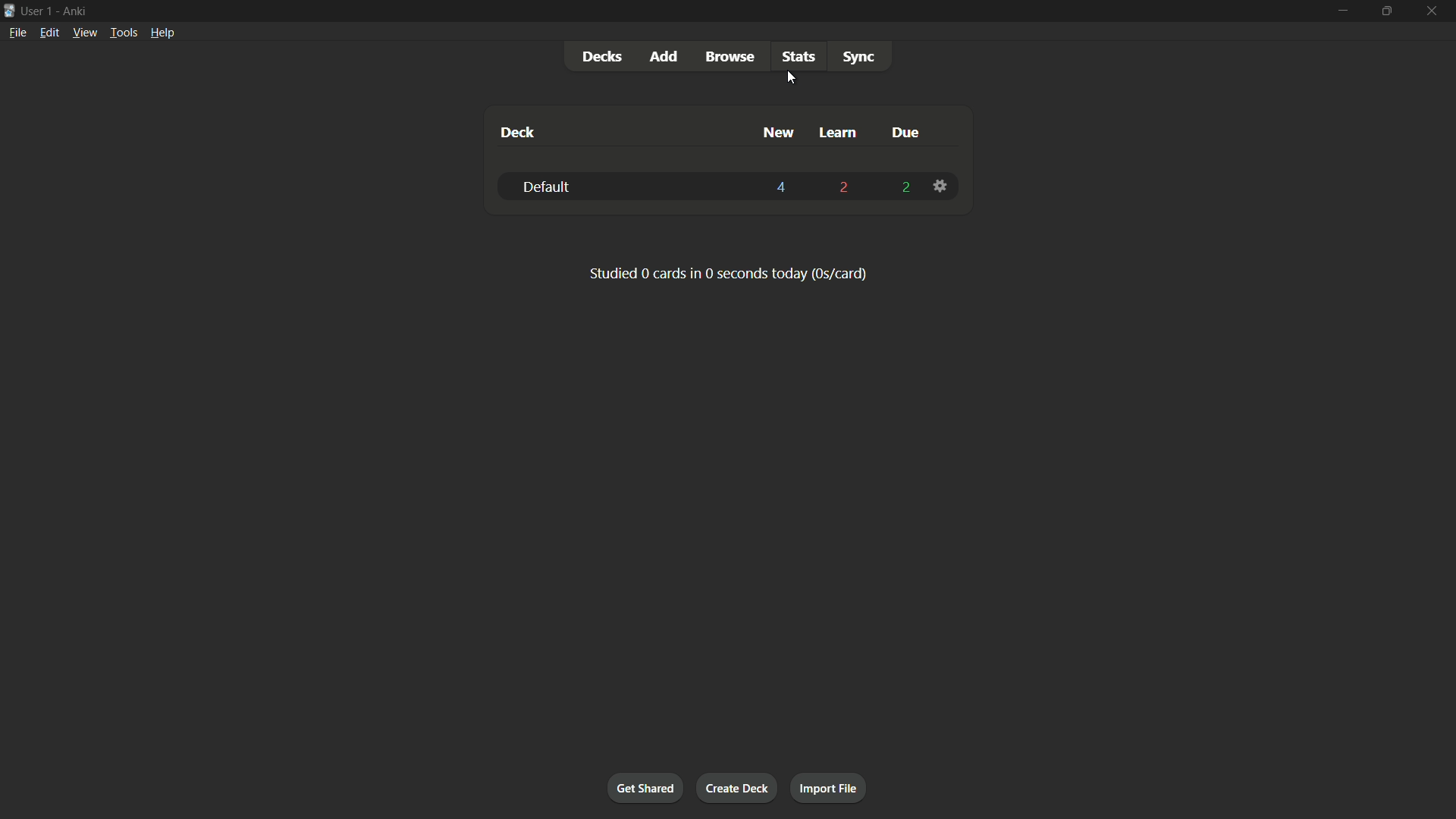 The height and width of the screenshot is (819, 1456). Describe the element at coordinates (858, 58) in the screenshot. I see `sync` at that location.